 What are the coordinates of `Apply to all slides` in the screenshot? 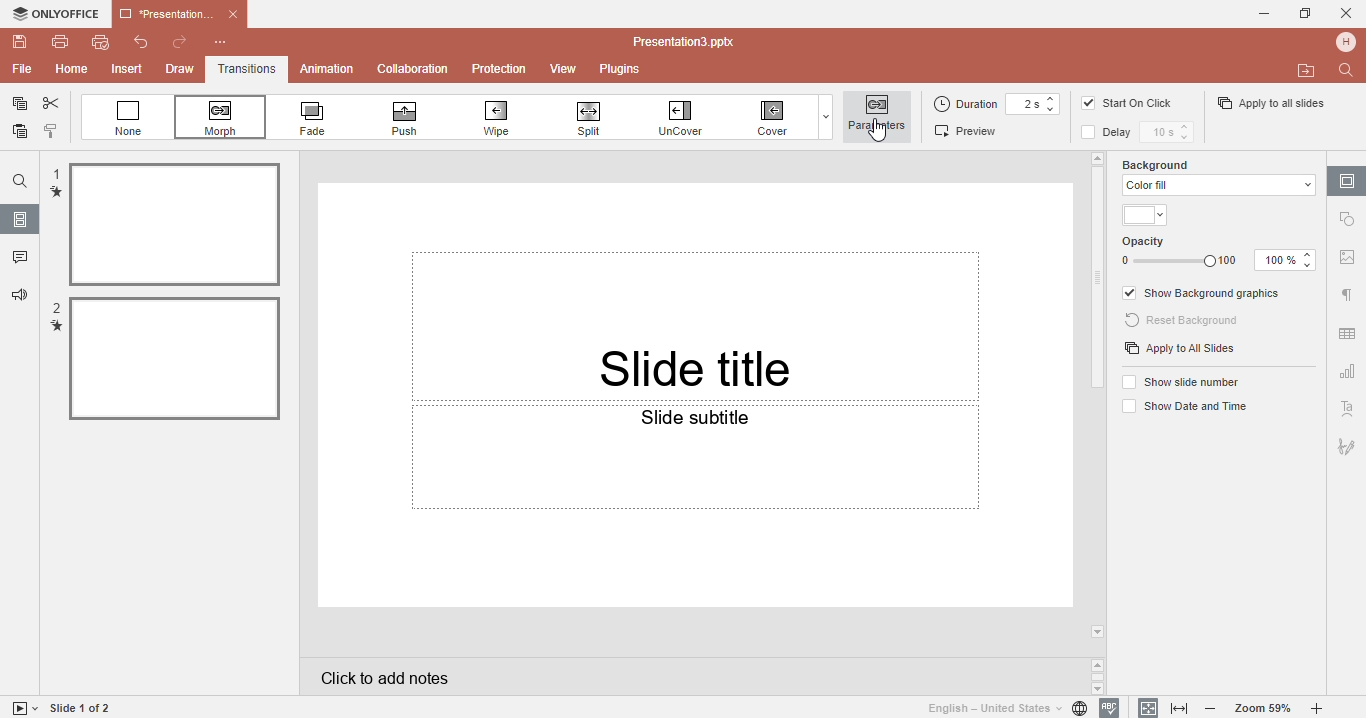 It's located at (1180, 350).